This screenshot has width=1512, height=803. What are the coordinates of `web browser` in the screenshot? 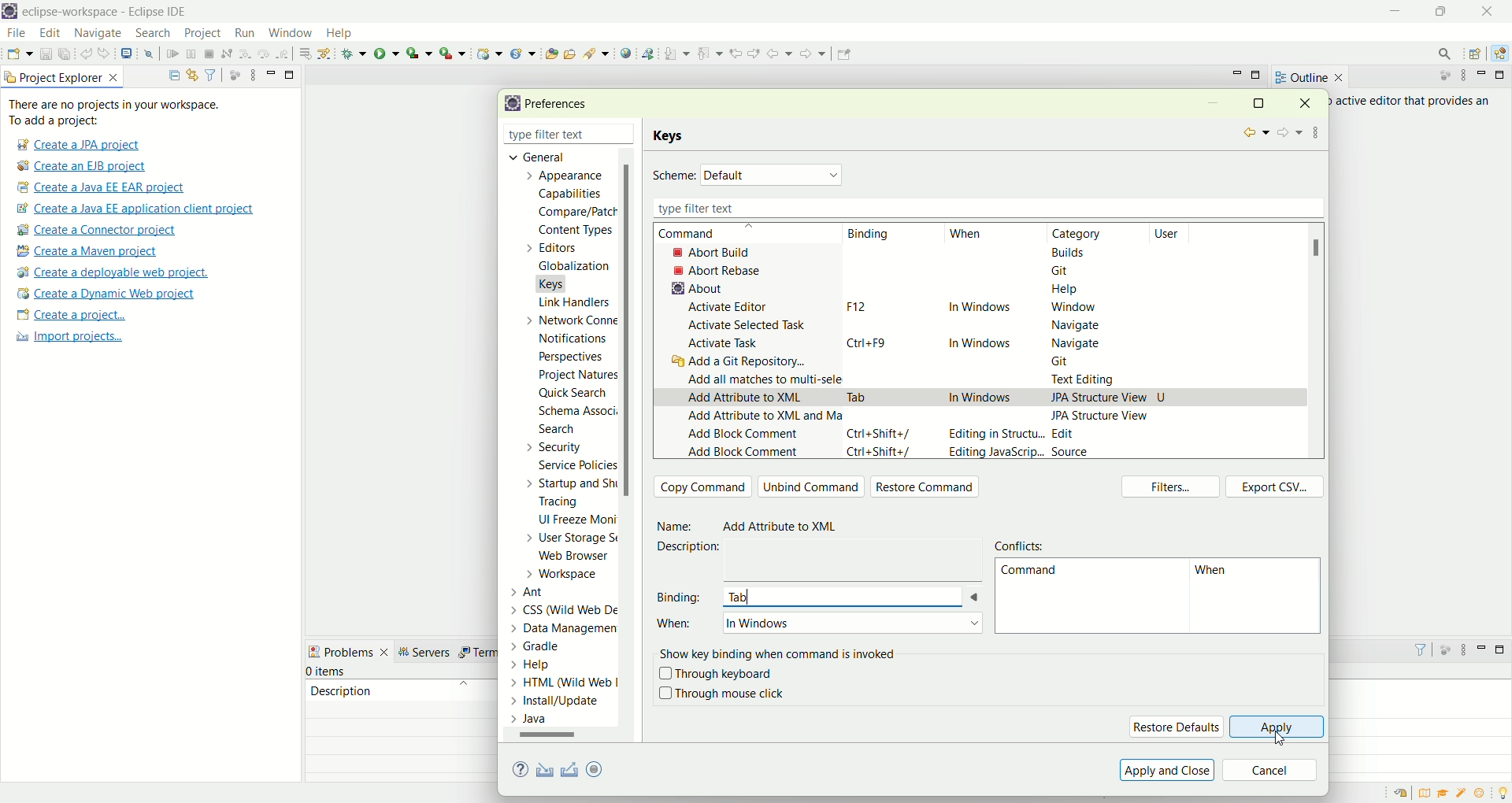 It's located at (579, 557).